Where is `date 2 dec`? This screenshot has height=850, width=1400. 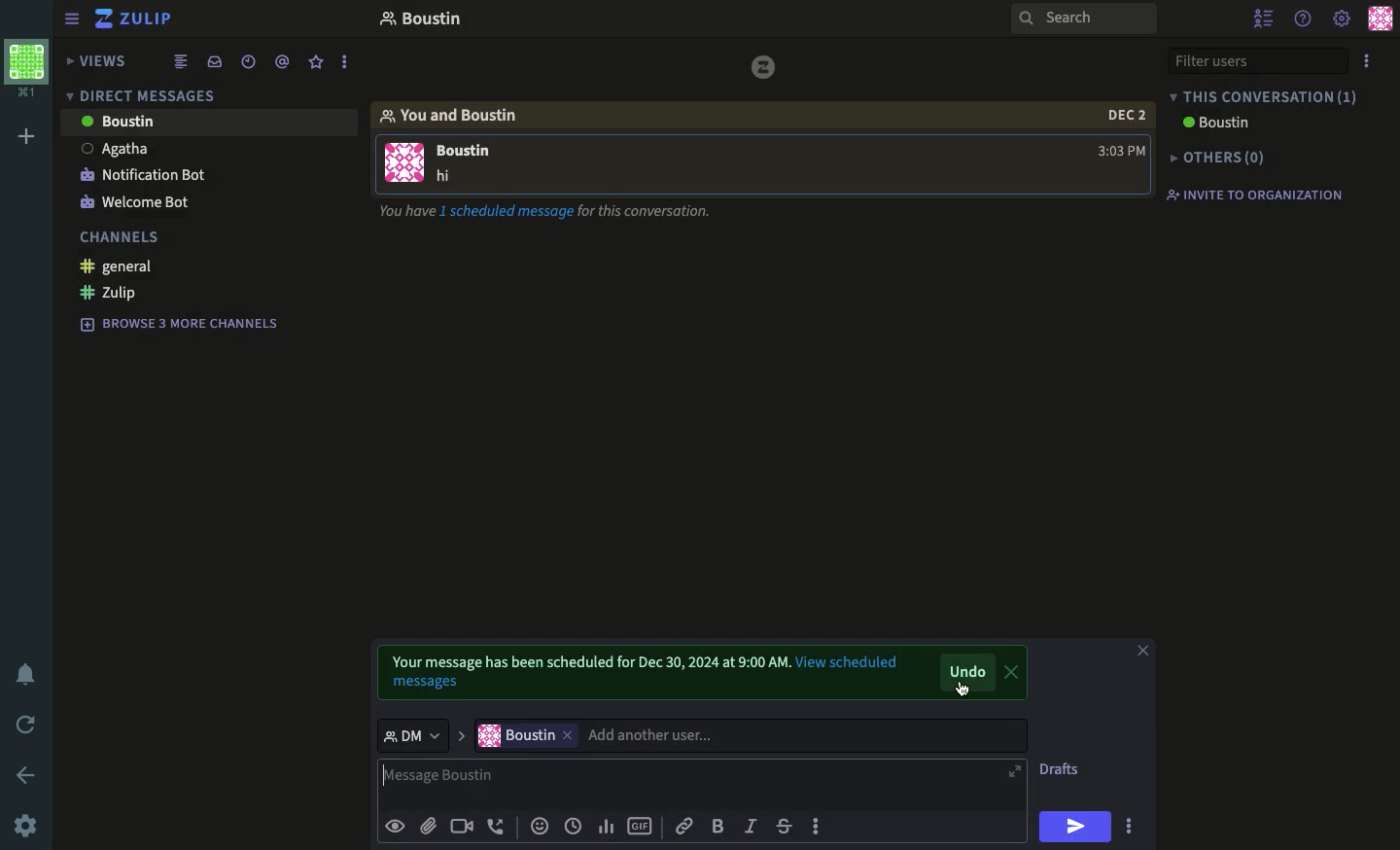
date 2 dec is located at coordinates (1119, 116).